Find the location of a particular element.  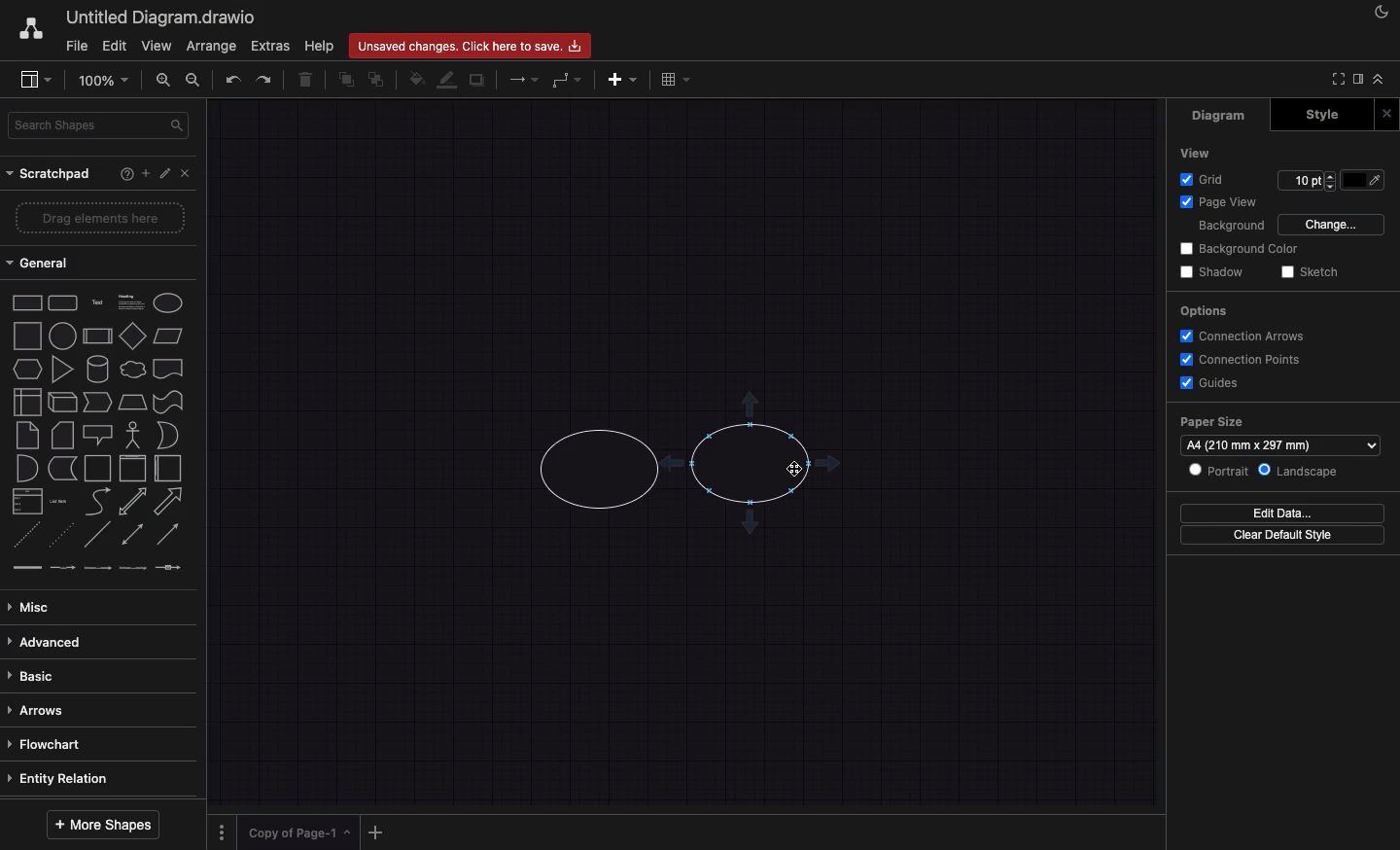

card is located at coordinates (62, 436).